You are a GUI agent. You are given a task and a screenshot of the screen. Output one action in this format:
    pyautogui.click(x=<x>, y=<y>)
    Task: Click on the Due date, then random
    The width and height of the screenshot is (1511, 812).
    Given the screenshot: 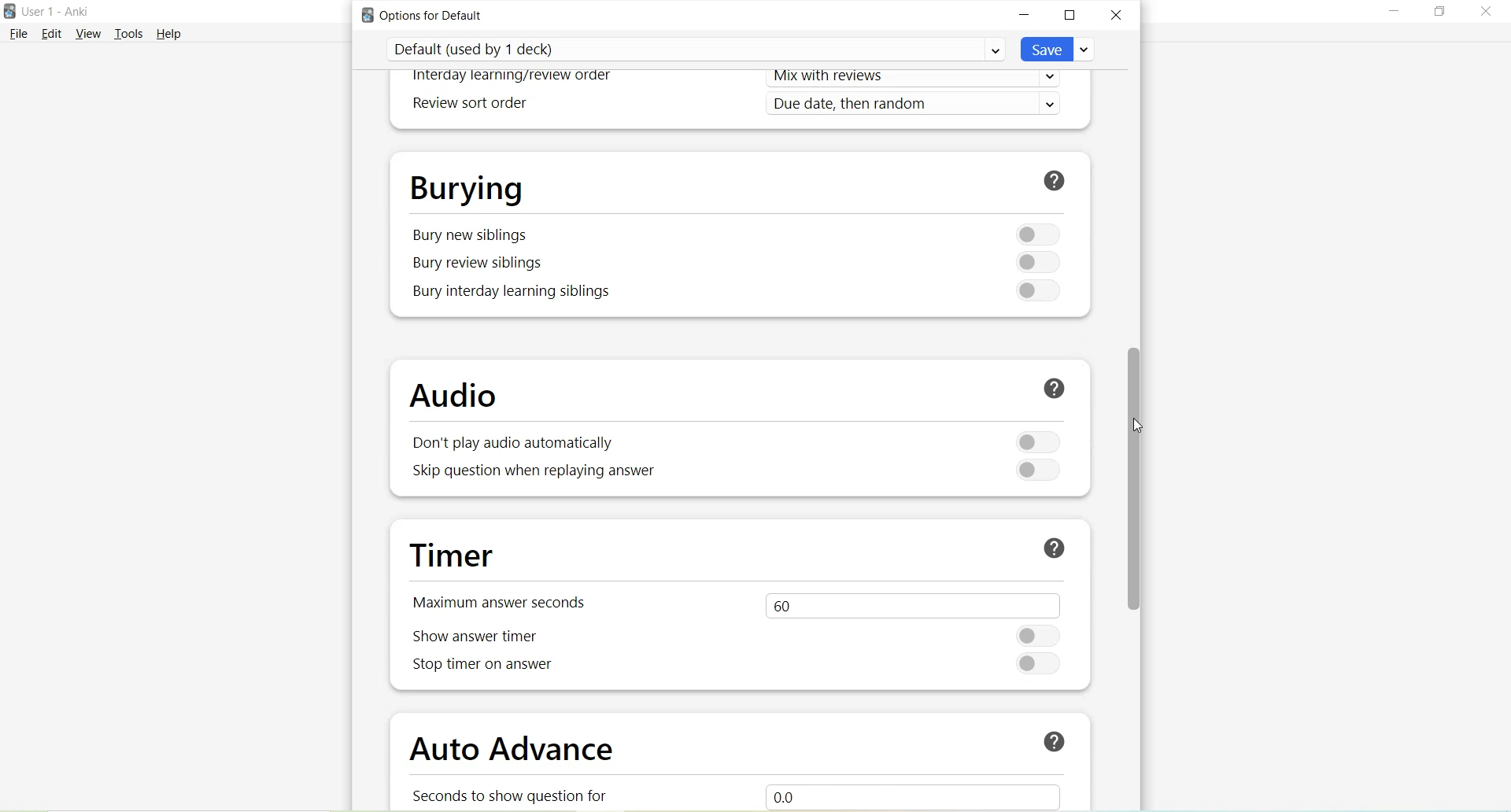 What is the action you would take?
    pyautogui.click(x=918, y=105)
    